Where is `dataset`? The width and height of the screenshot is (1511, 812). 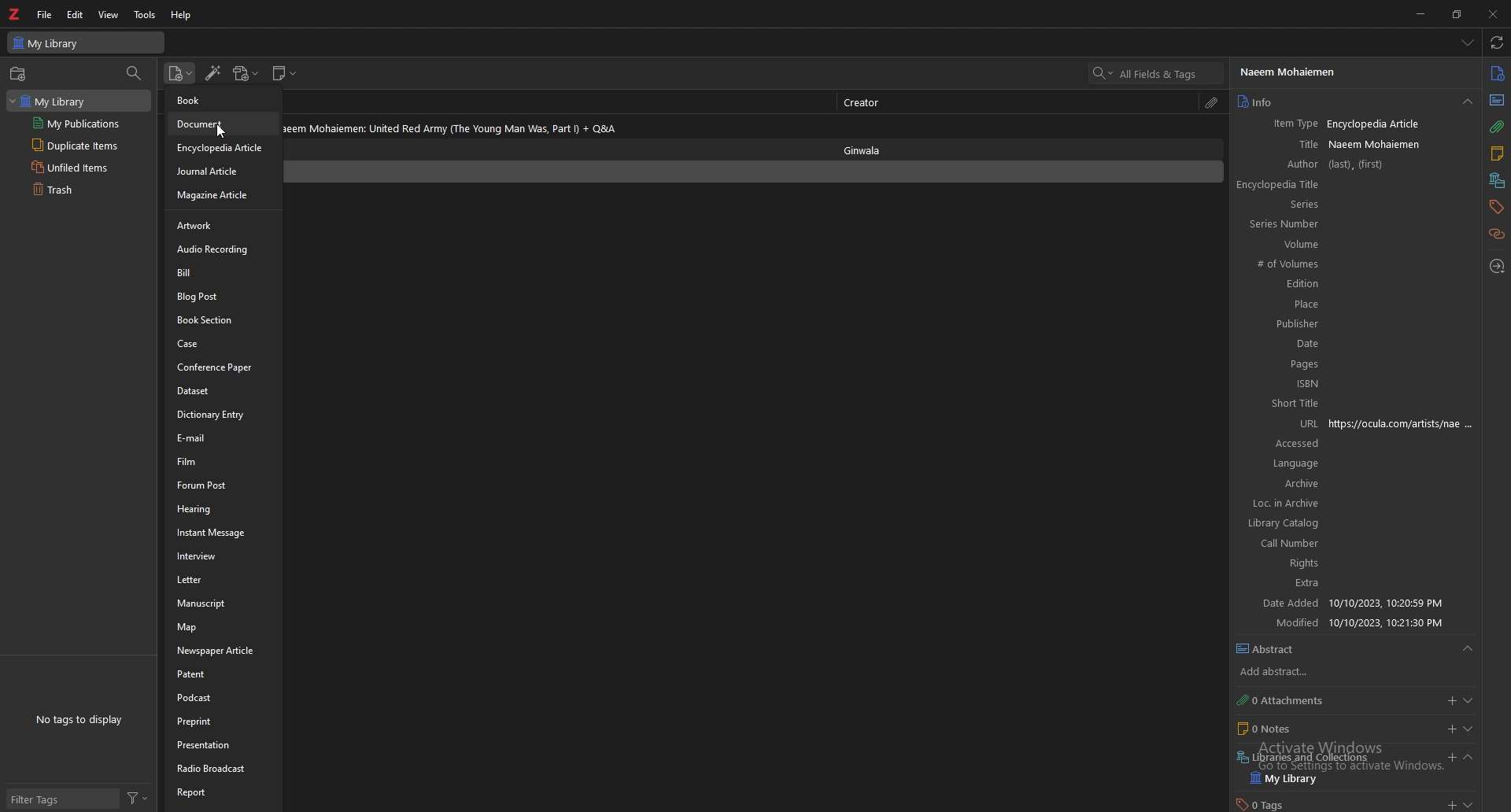
dataset is located at coordinates (224, 391).